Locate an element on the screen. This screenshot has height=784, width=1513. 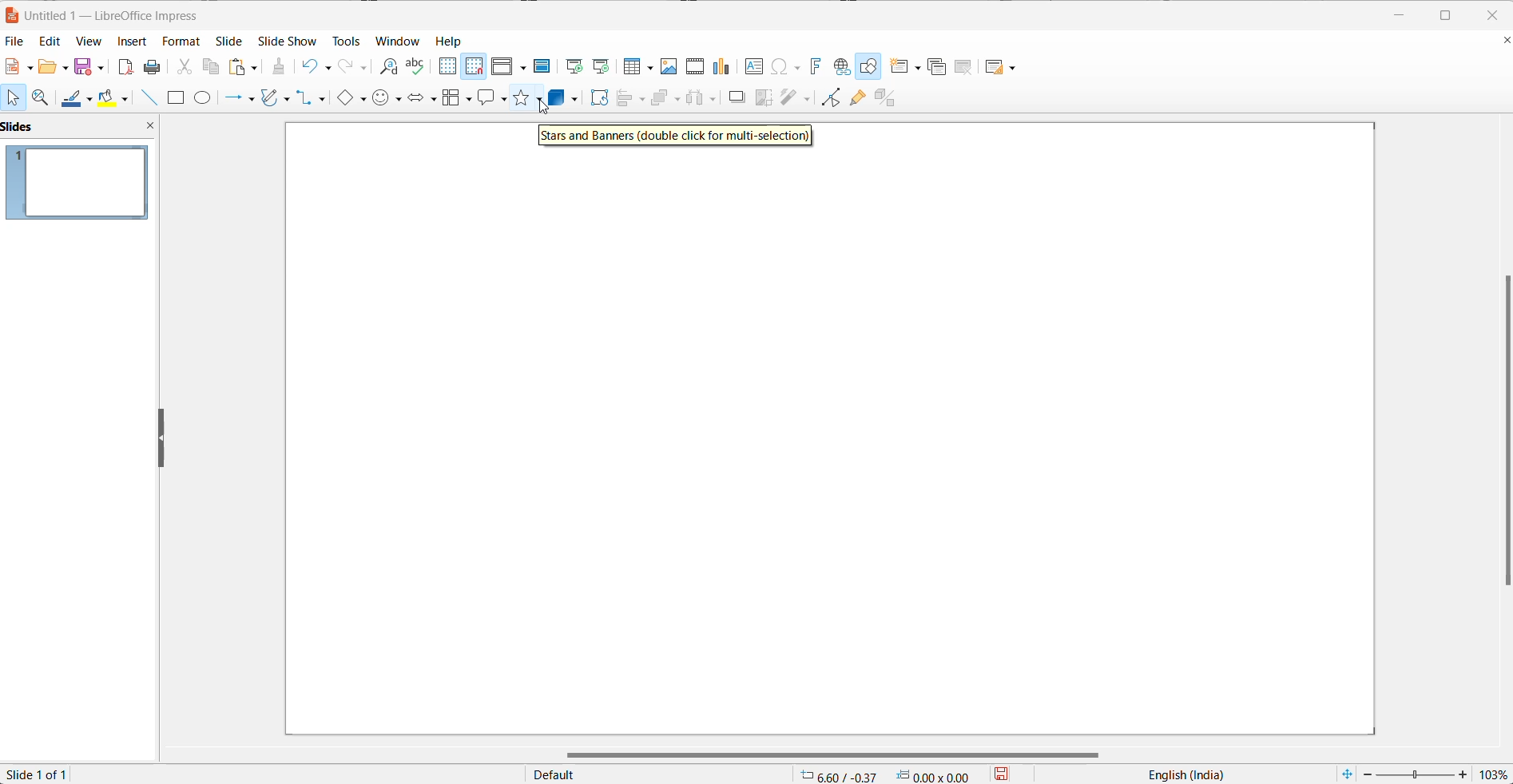
maximize is located at coordinates (1448, 16).